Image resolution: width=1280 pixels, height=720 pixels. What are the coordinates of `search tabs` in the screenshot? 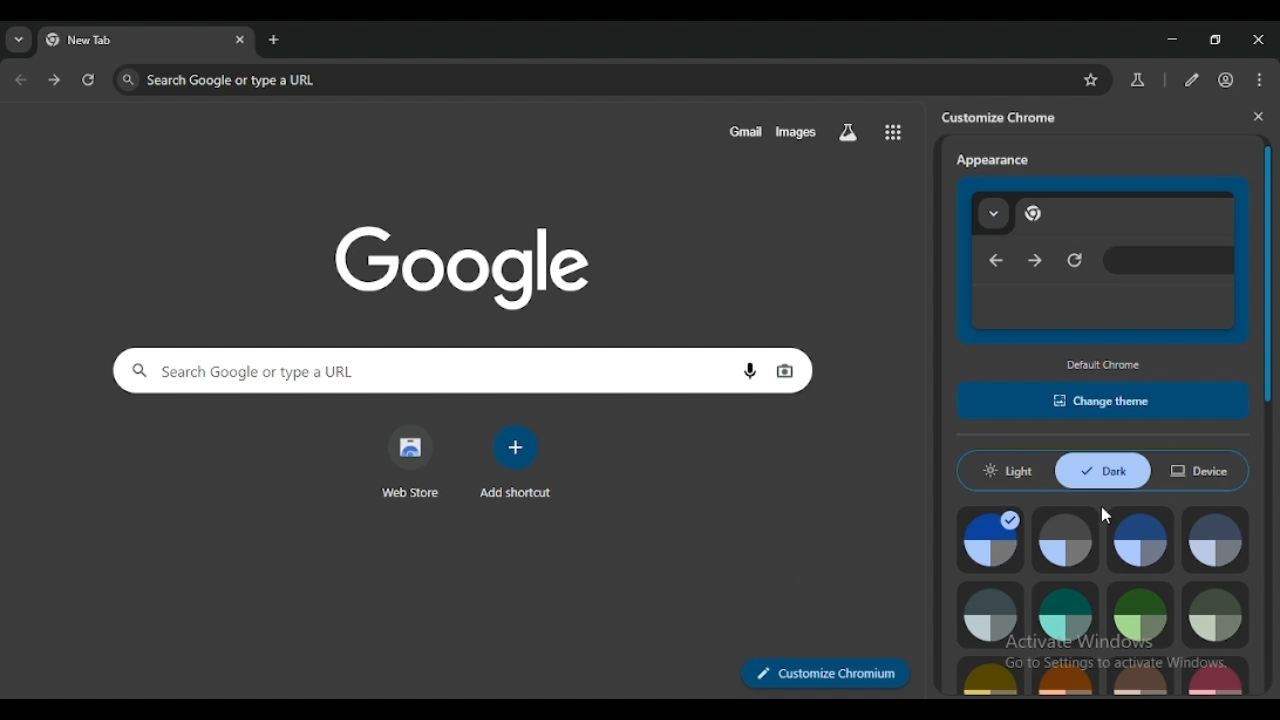 It's located at (18, 40).